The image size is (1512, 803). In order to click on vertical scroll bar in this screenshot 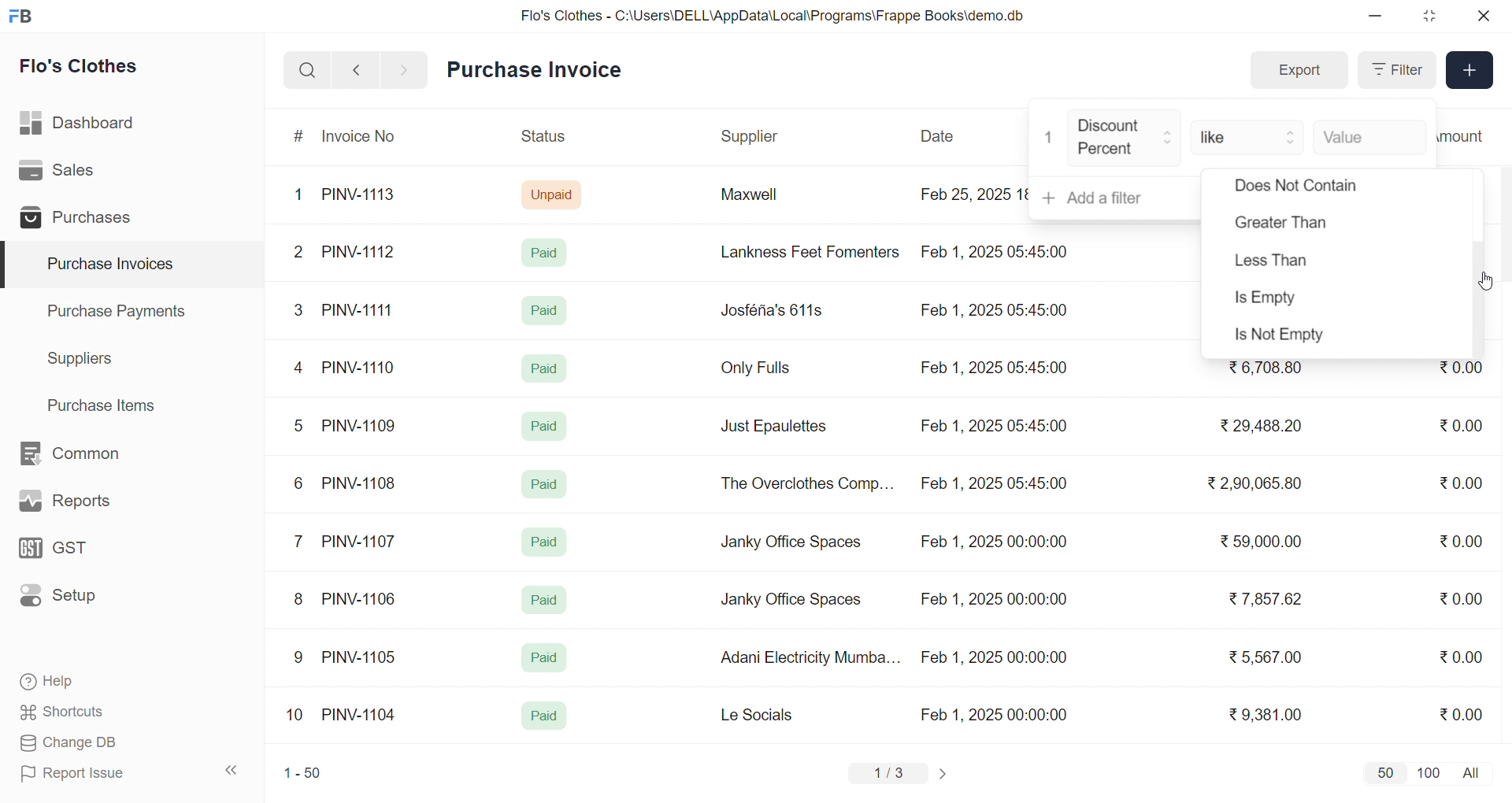, I will do `click(1479, 298)`.